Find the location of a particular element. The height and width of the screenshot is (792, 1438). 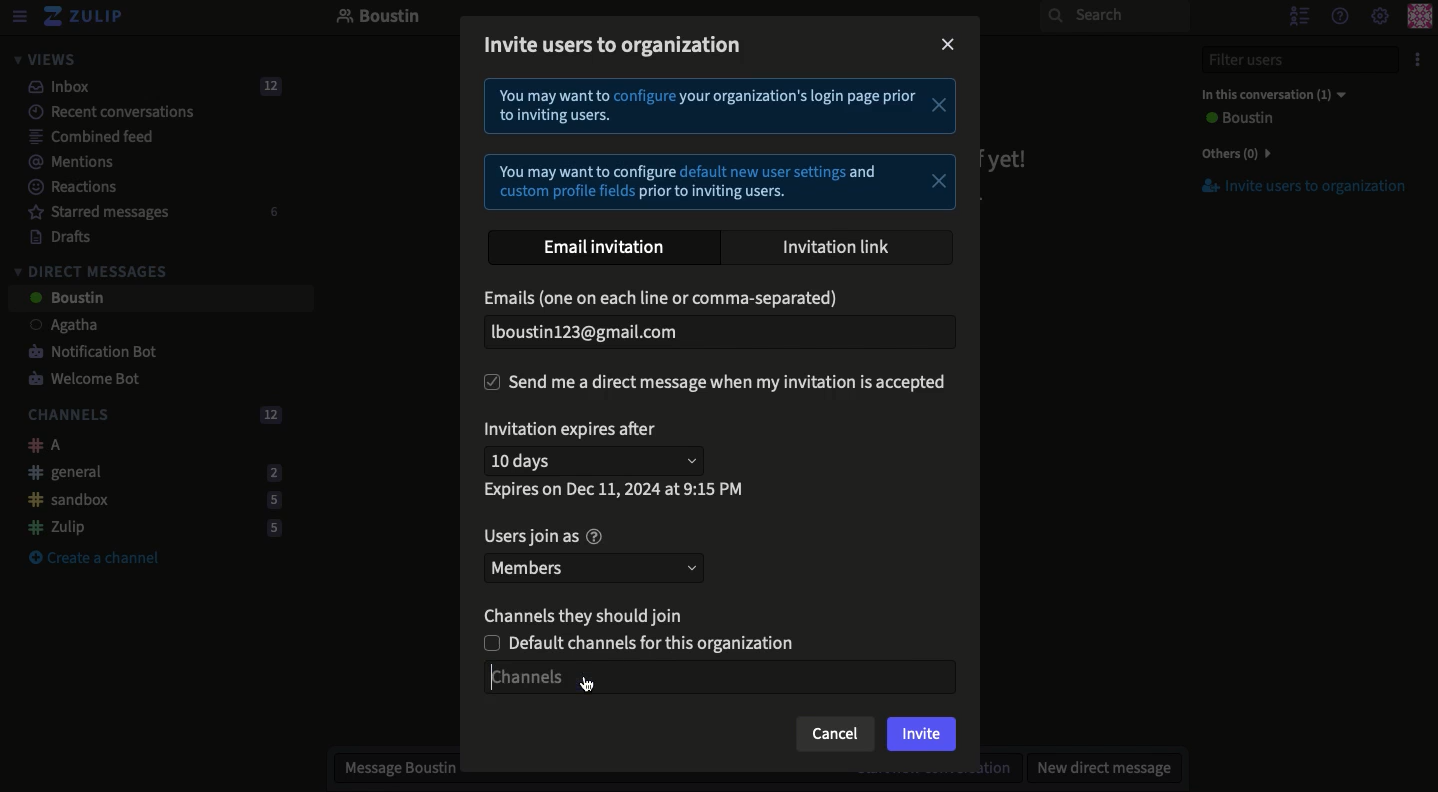

Channels they should join is located at coordinates (590, 613).